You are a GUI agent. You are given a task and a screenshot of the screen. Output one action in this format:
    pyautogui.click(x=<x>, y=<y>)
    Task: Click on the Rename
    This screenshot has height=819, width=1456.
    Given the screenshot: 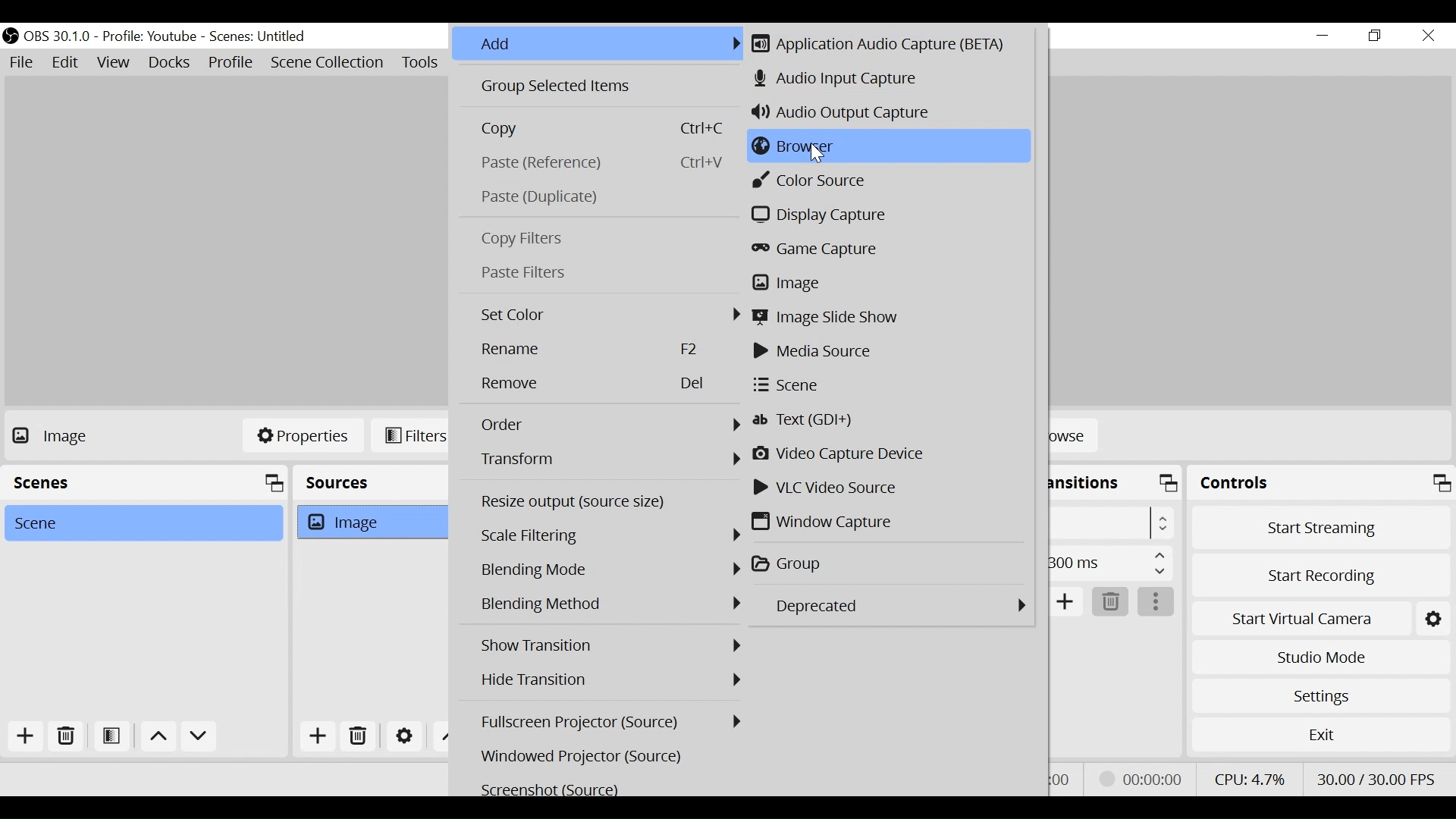 What is the action you would take?
    pyautogui.click(x=607, y=350)
    